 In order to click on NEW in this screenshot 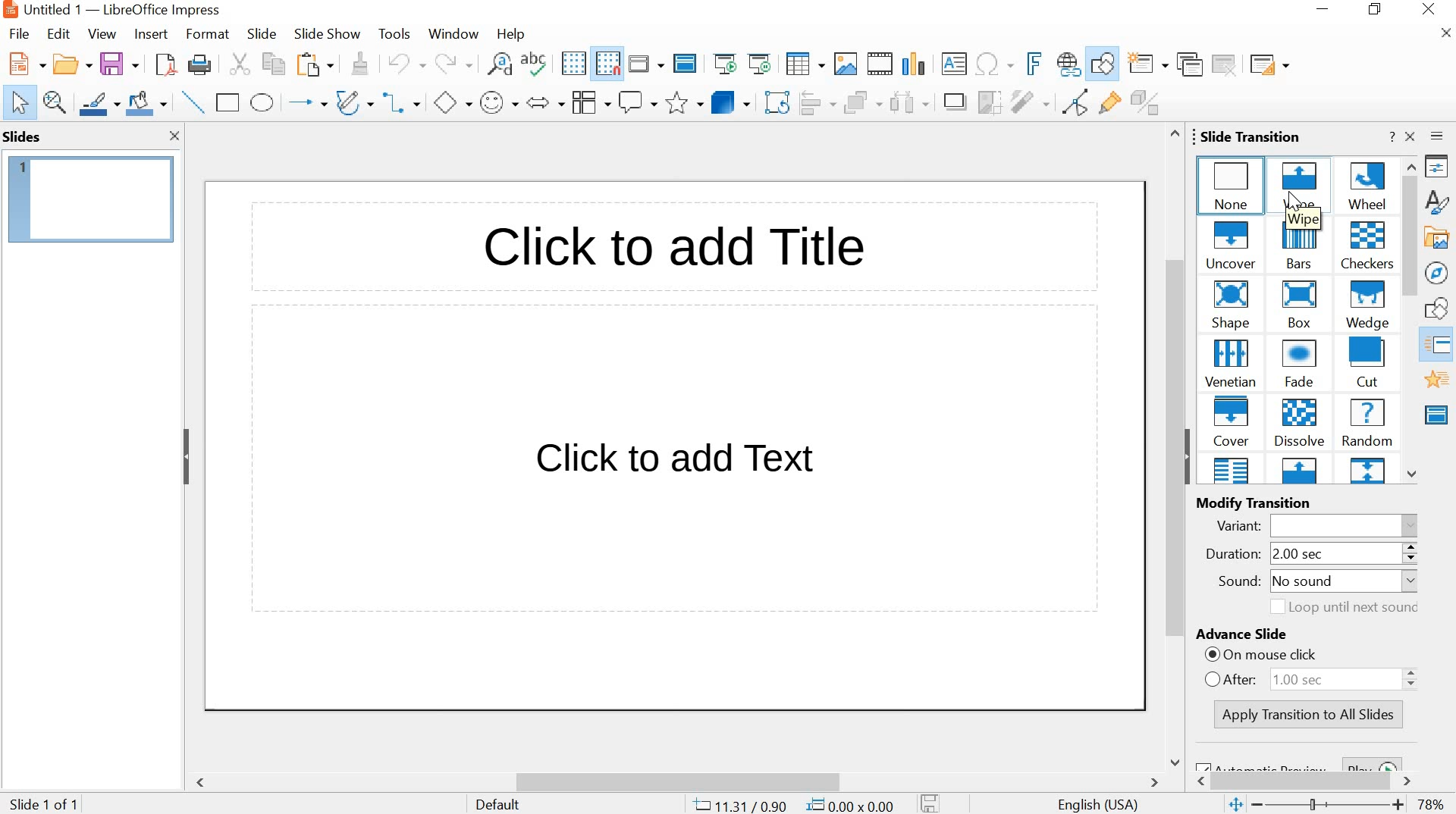, I will do `click(23, 64)`.